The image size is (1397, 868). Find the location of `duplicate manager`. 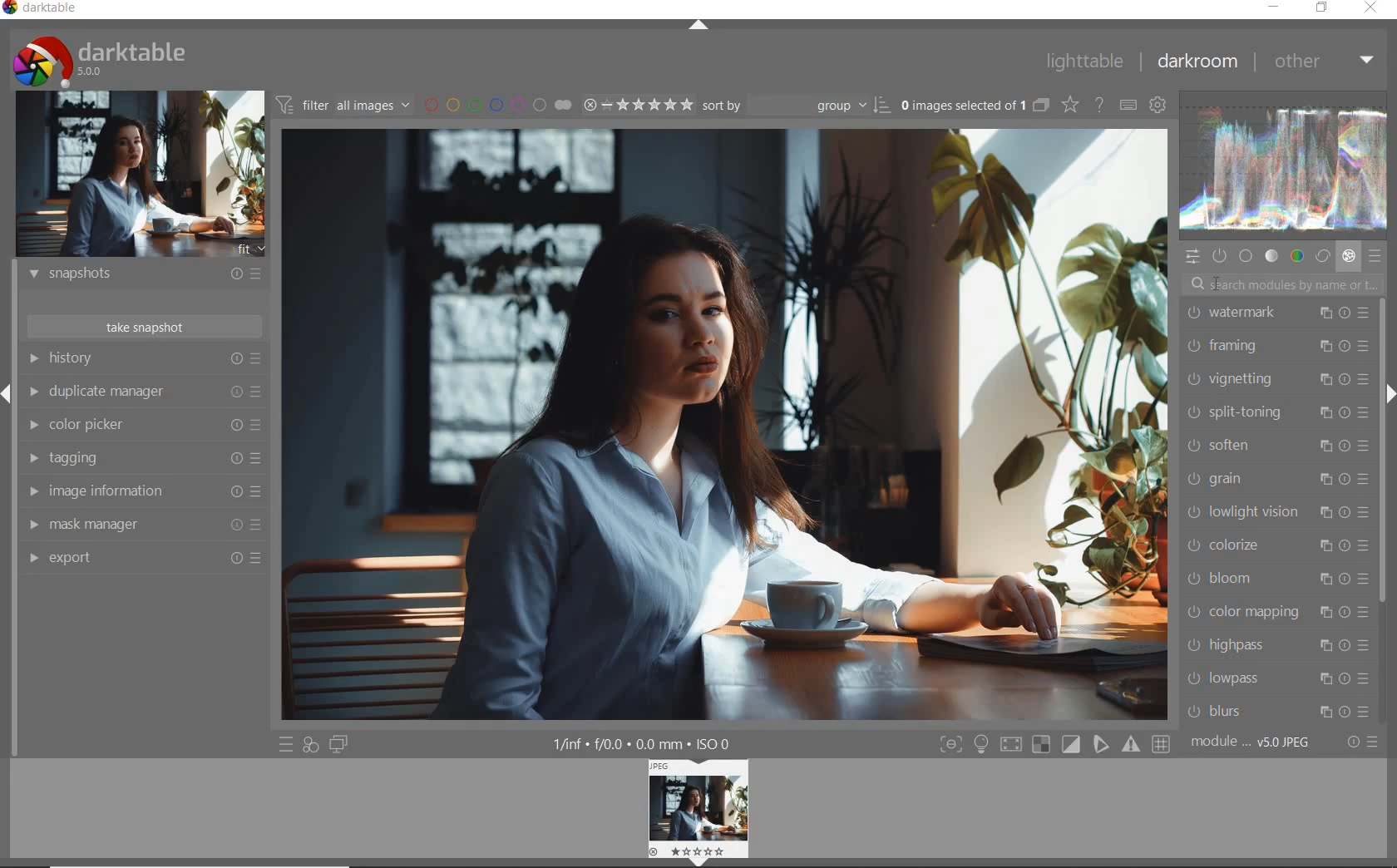

duplicate manager is located at coordinates (146, 392).